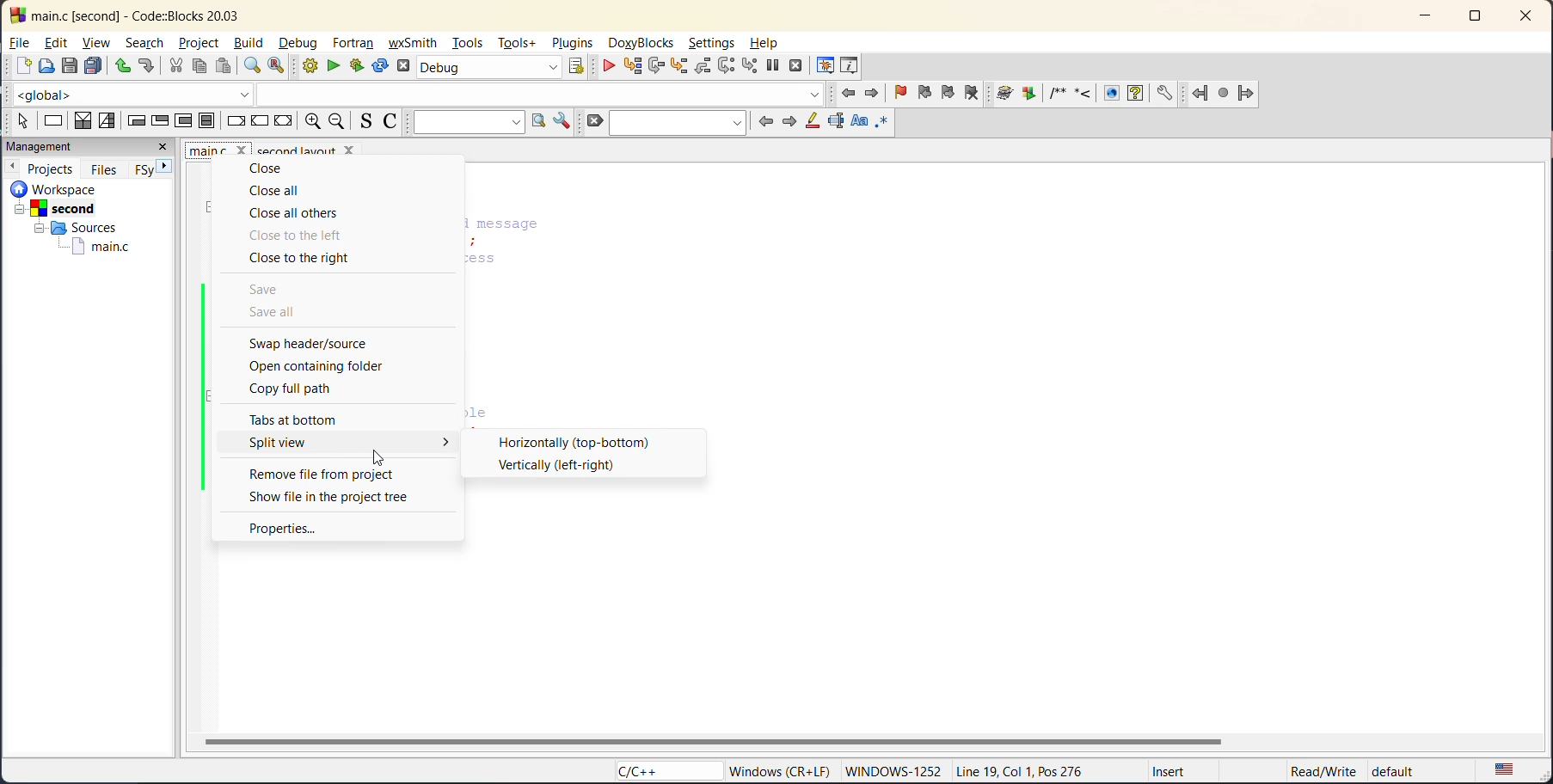 This screenshot has height=784, width=1553. Describe the element at coordinates (51, 167) in the screenshot. I see `projects` at that location.